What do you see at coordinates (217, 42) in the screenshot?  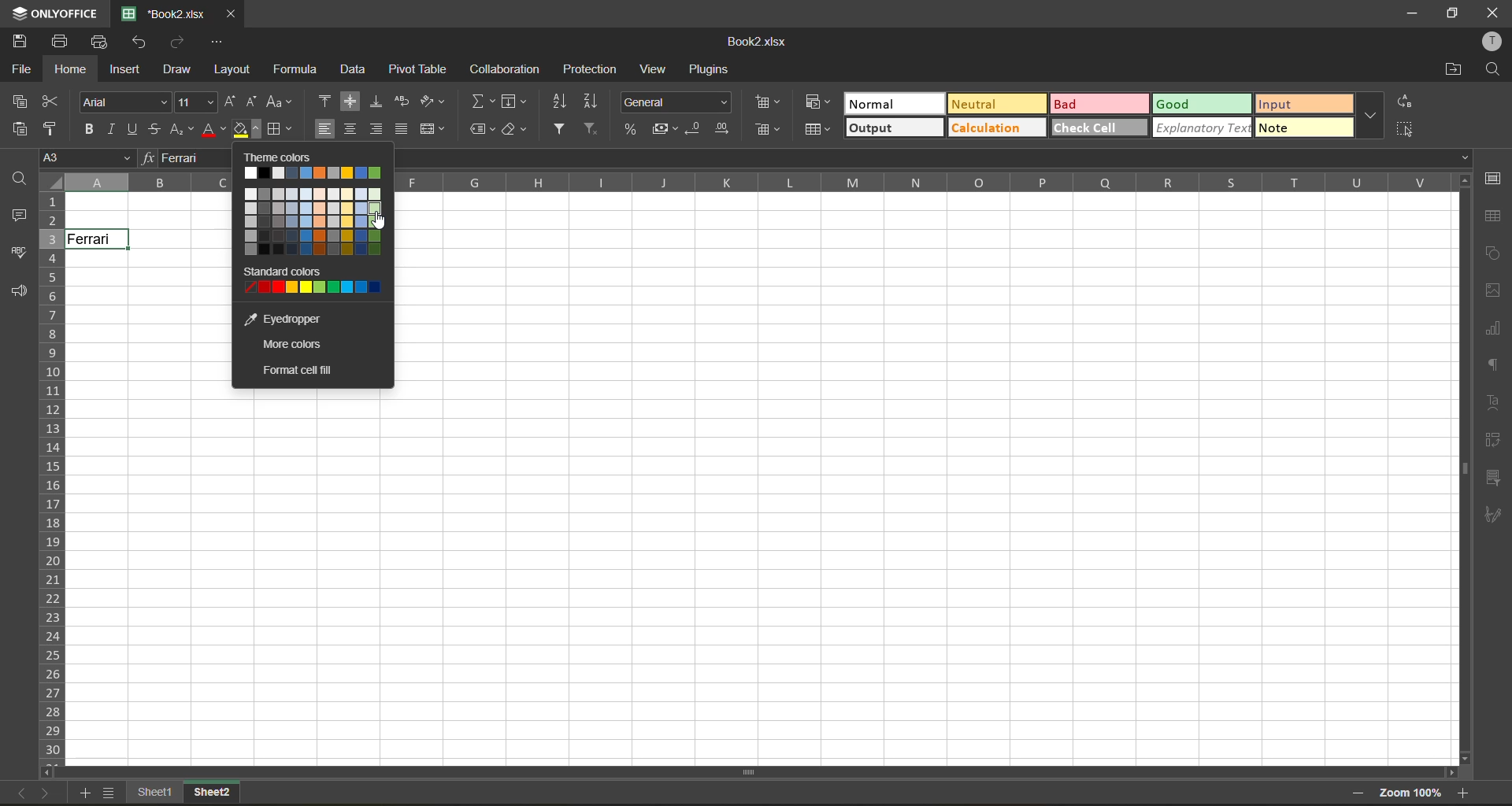 I see `customize quick access toolbar` at bounding box center [217, 42].